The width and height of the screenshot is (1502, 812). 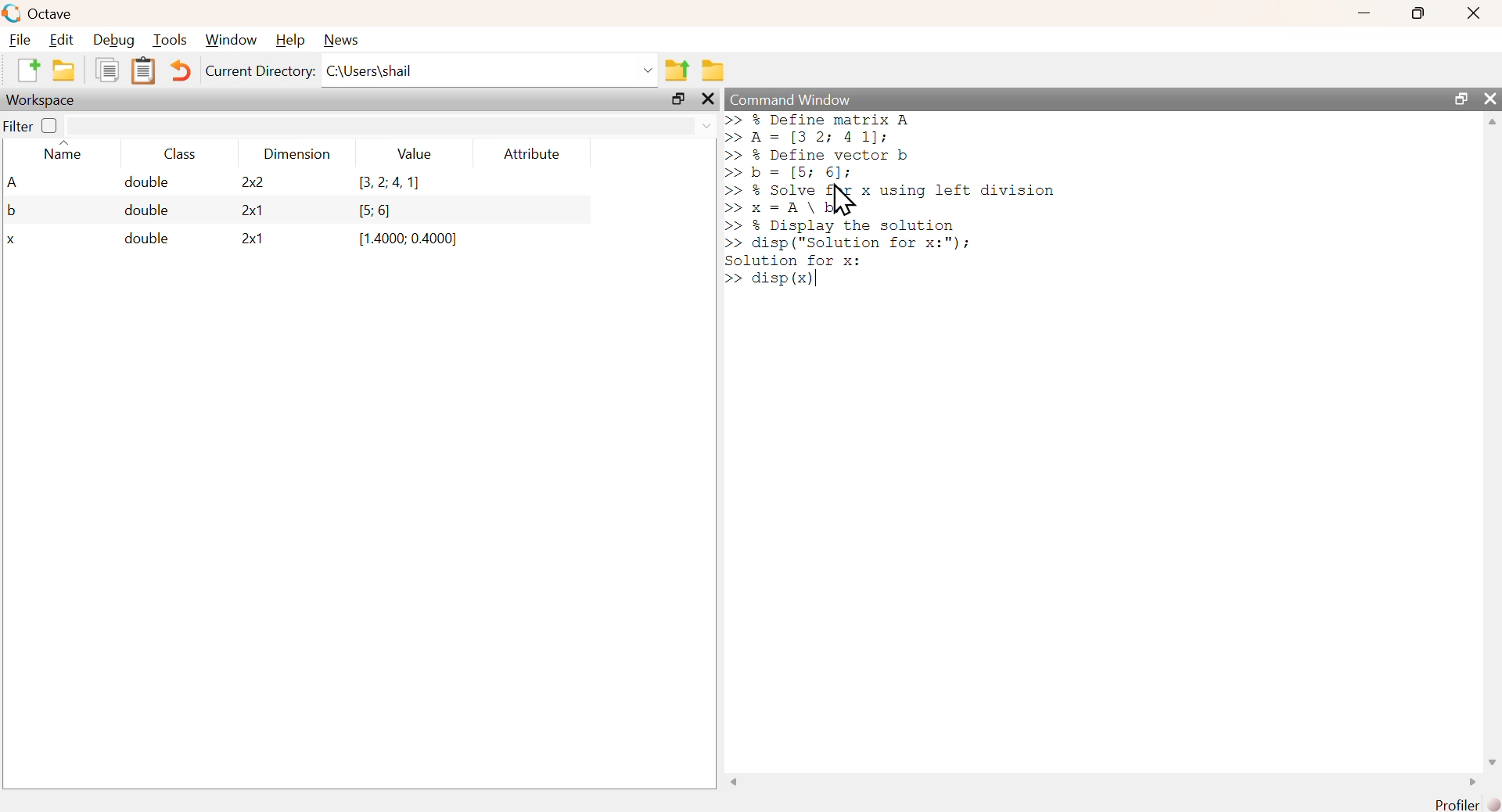 I want to click on attribute, so click(x=530, y=154).